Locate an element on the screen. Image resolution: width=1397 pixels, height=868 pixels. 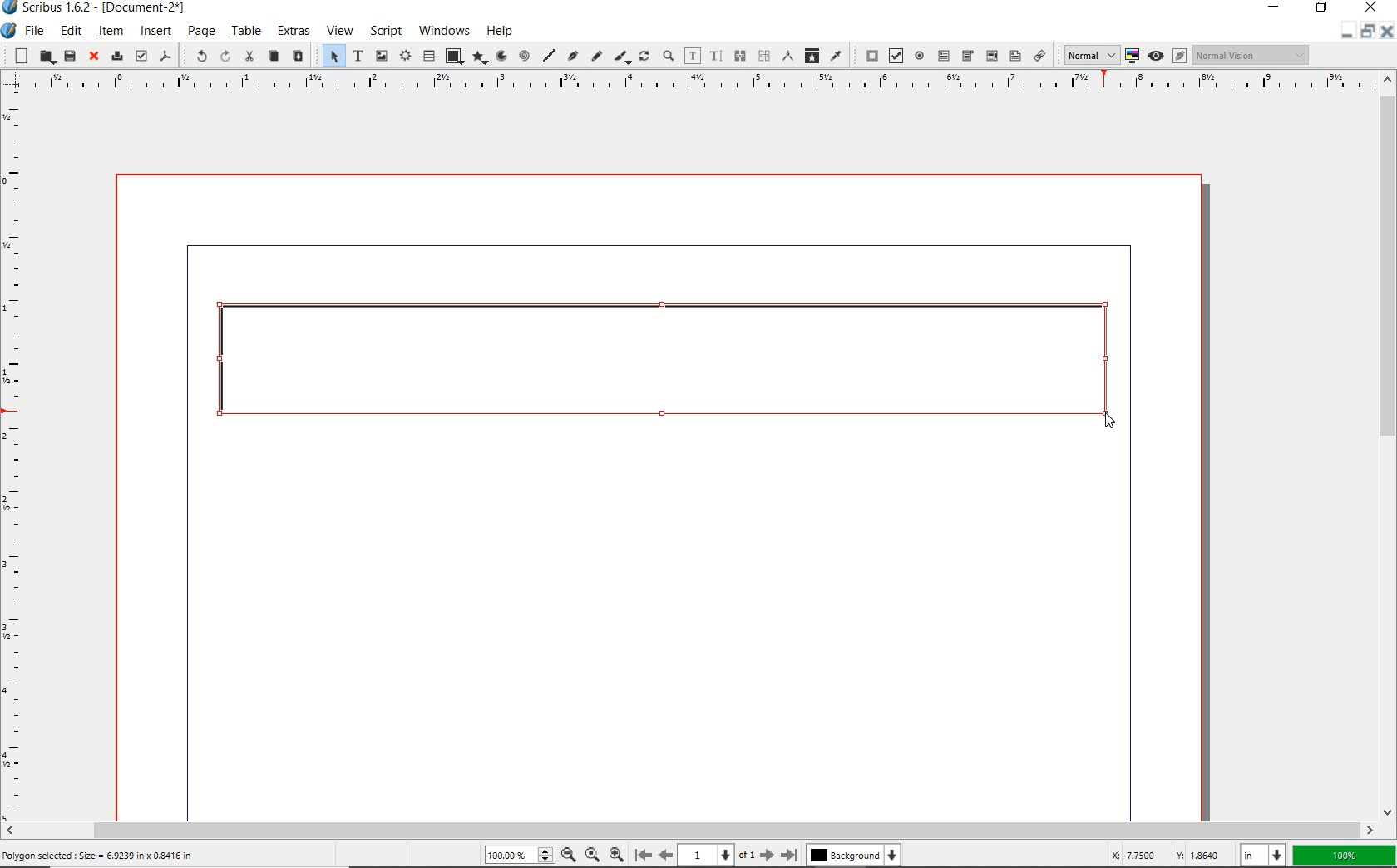
page is located at coordinates (201, 31).